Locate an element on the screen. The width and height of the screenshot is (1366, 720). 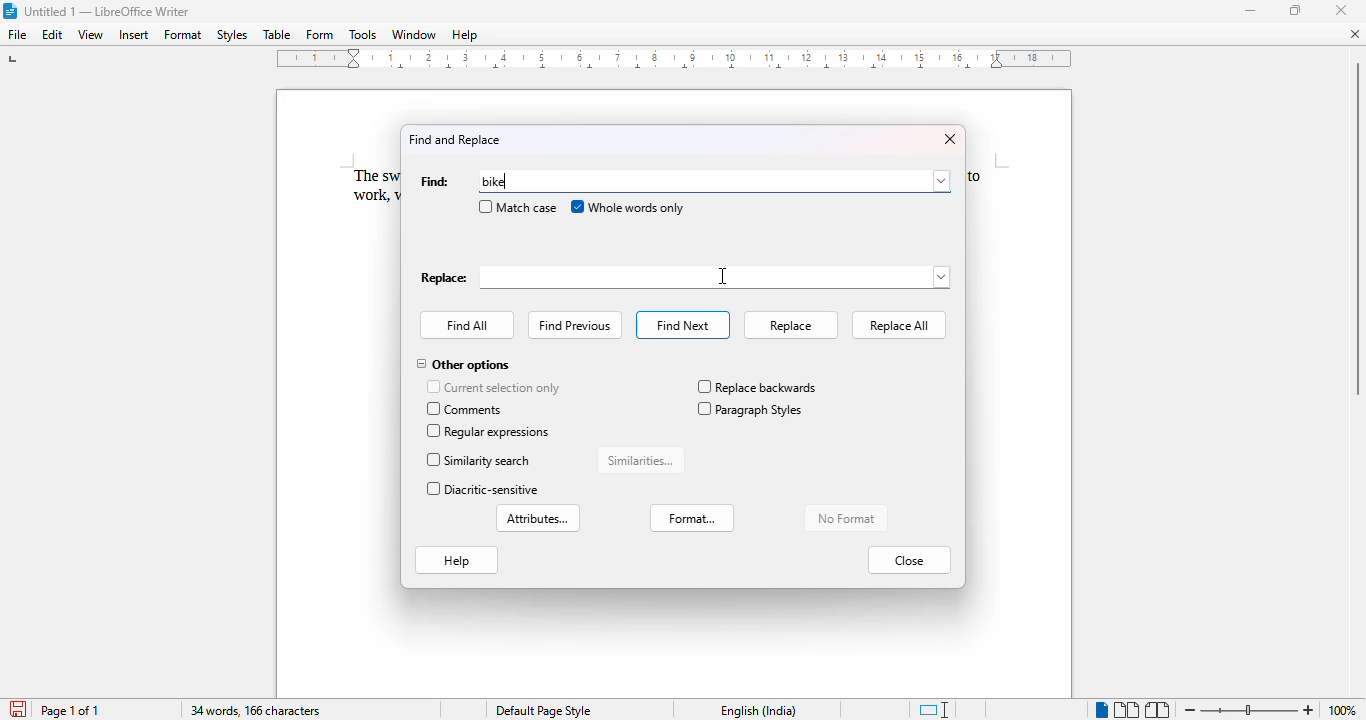
close is located at coordinates (1341, 10).